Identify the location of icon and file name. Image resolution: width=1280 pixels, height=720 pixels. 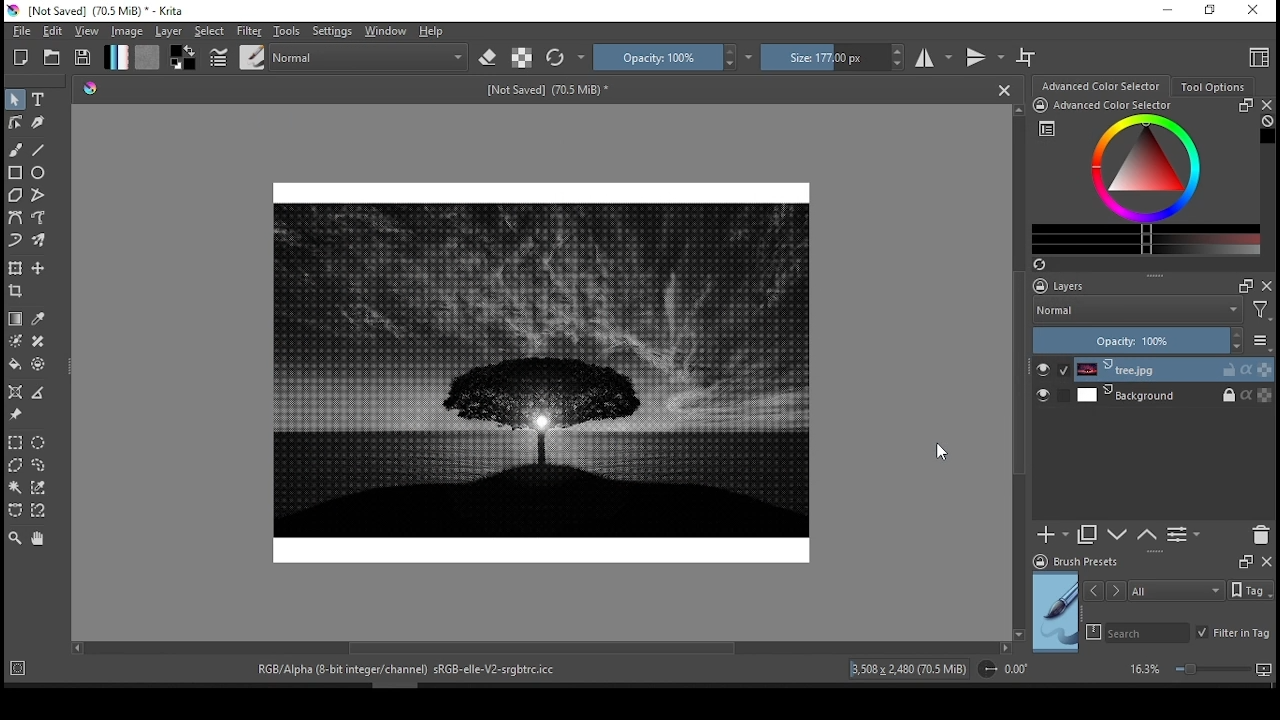
(112, 11).